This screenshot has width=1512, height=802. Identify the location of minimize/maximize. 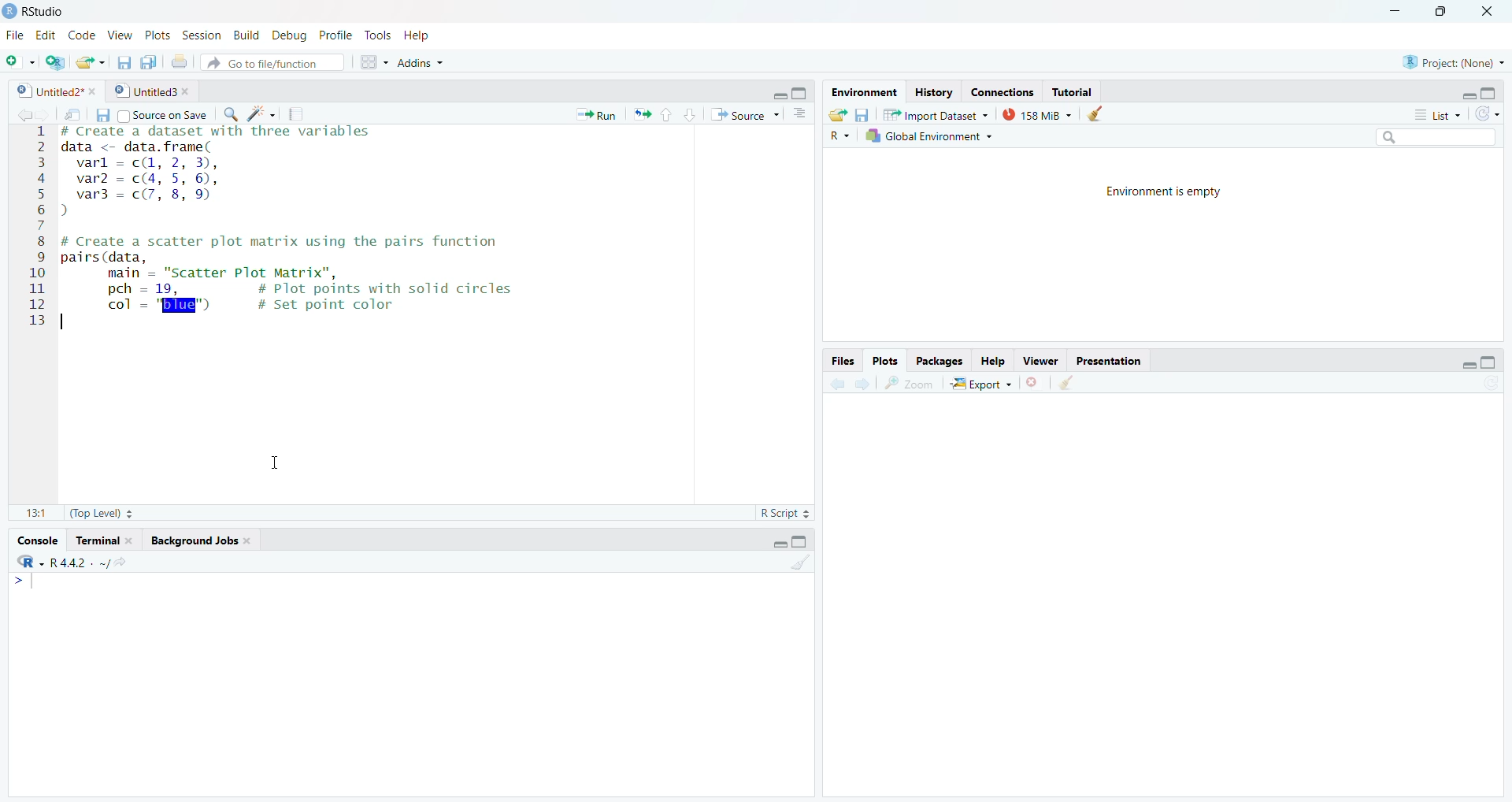
(1482, 92).